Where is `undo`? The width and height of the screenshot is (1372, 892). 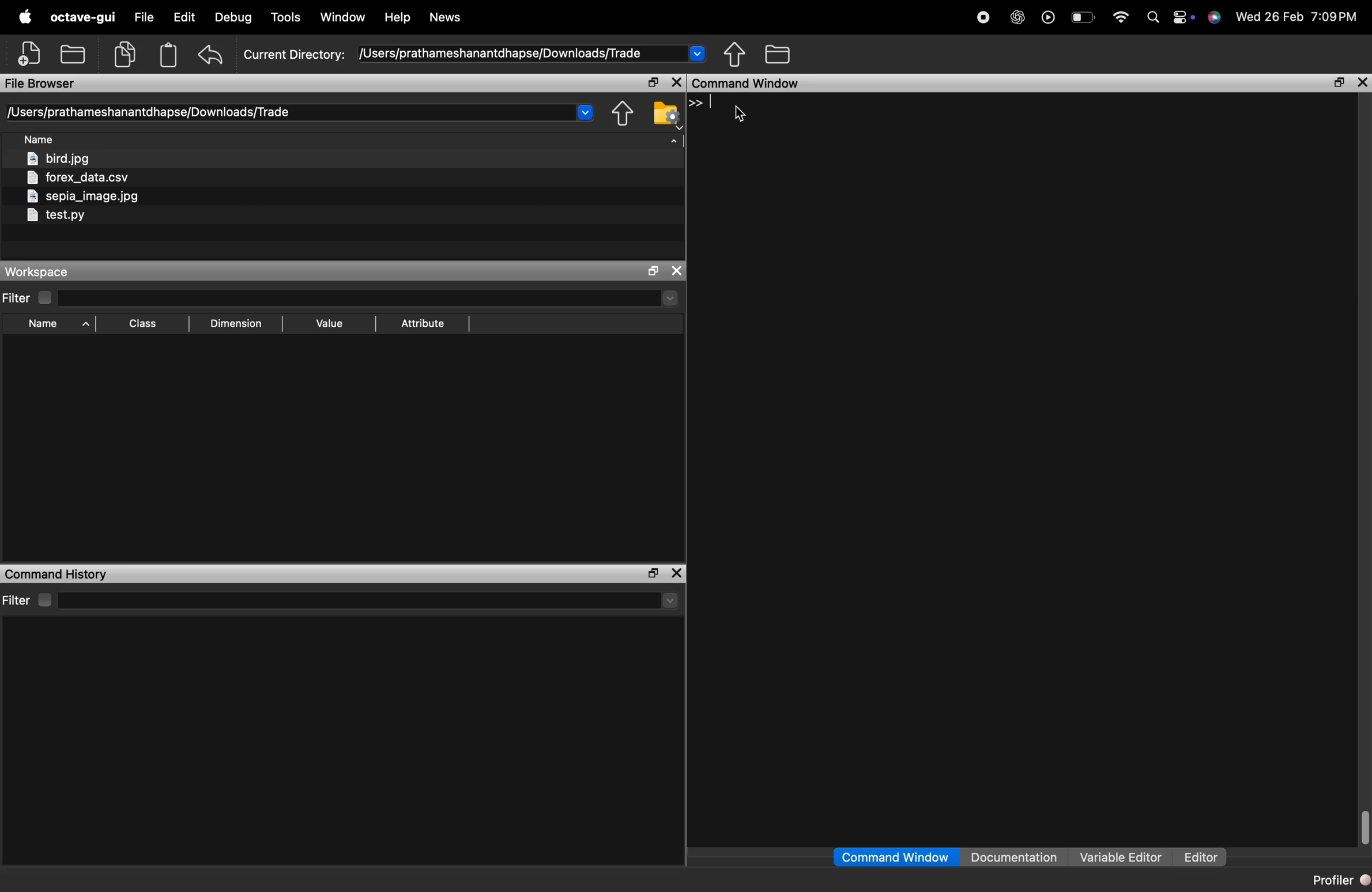 undo is located at coordinates (212, 54).